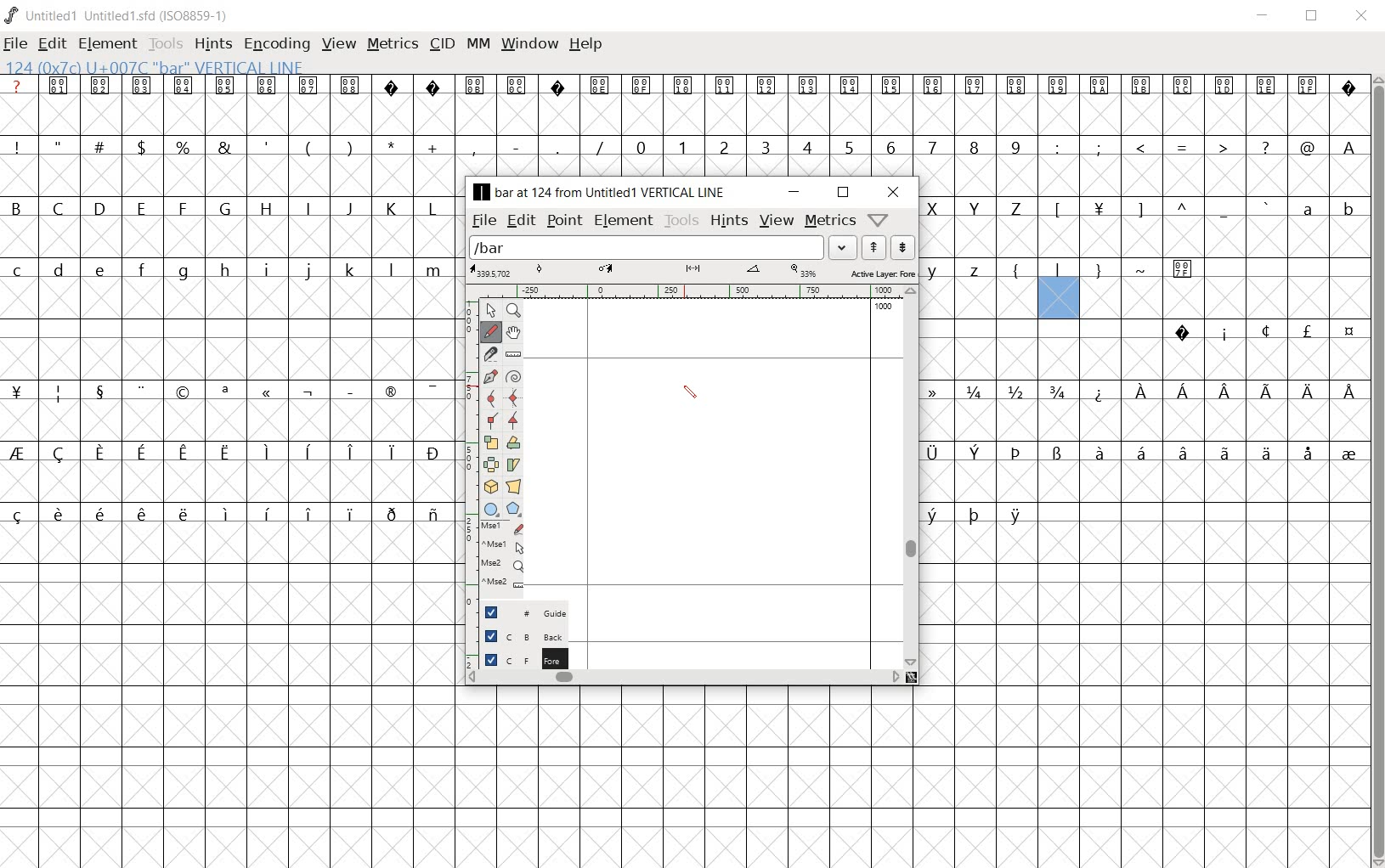 This screenshot has width=1385, height=868. What do you see at coordinates (229, 452) in the screenshot?
I see `special letters` at bounding box center [229, 452].